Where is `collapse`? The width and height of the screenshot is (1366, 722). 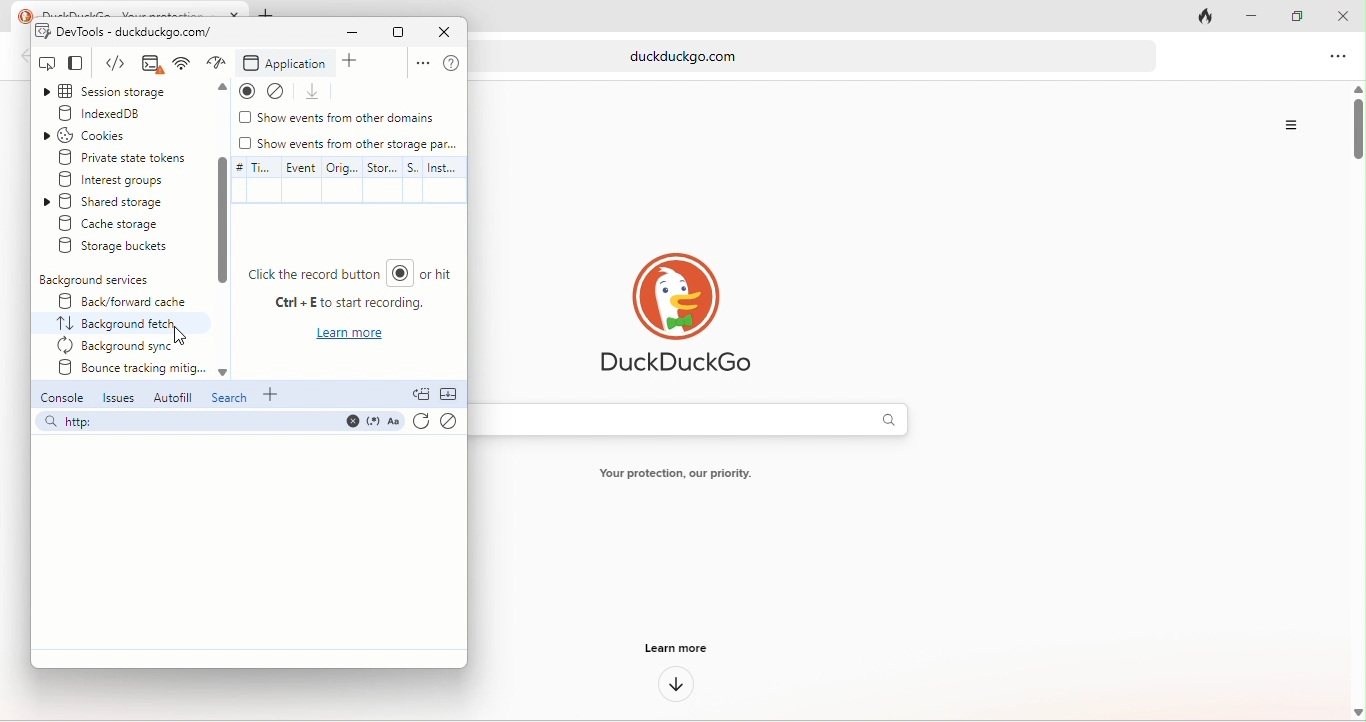
collapse is located at coordinates (452, 396).